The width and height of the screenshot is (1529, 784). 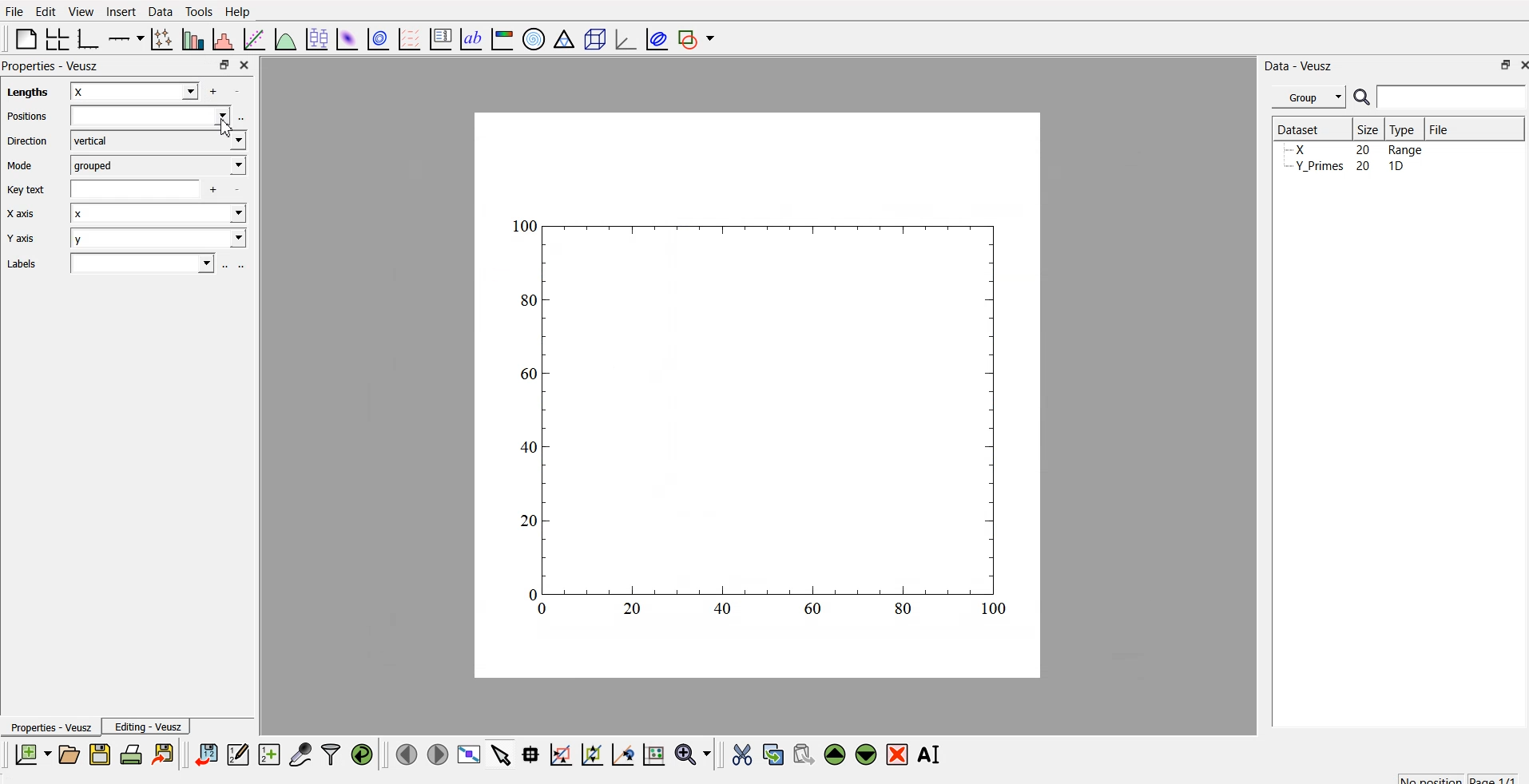 I want to click on filter data, so click(x=331, y=752).